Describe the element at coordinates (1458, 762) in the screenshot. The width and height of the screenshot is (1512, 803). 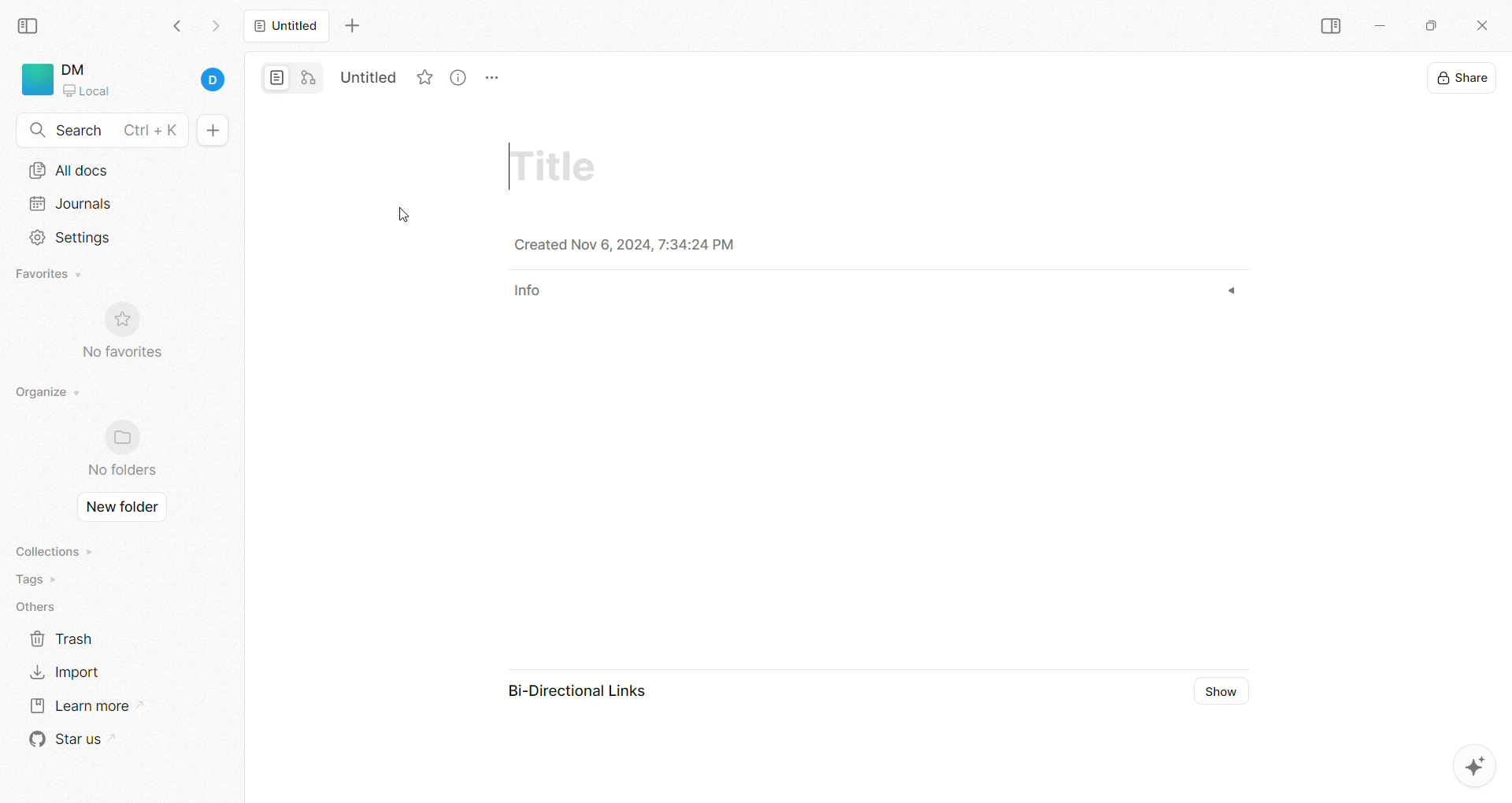
I see `AFFiNE AI` at that location.